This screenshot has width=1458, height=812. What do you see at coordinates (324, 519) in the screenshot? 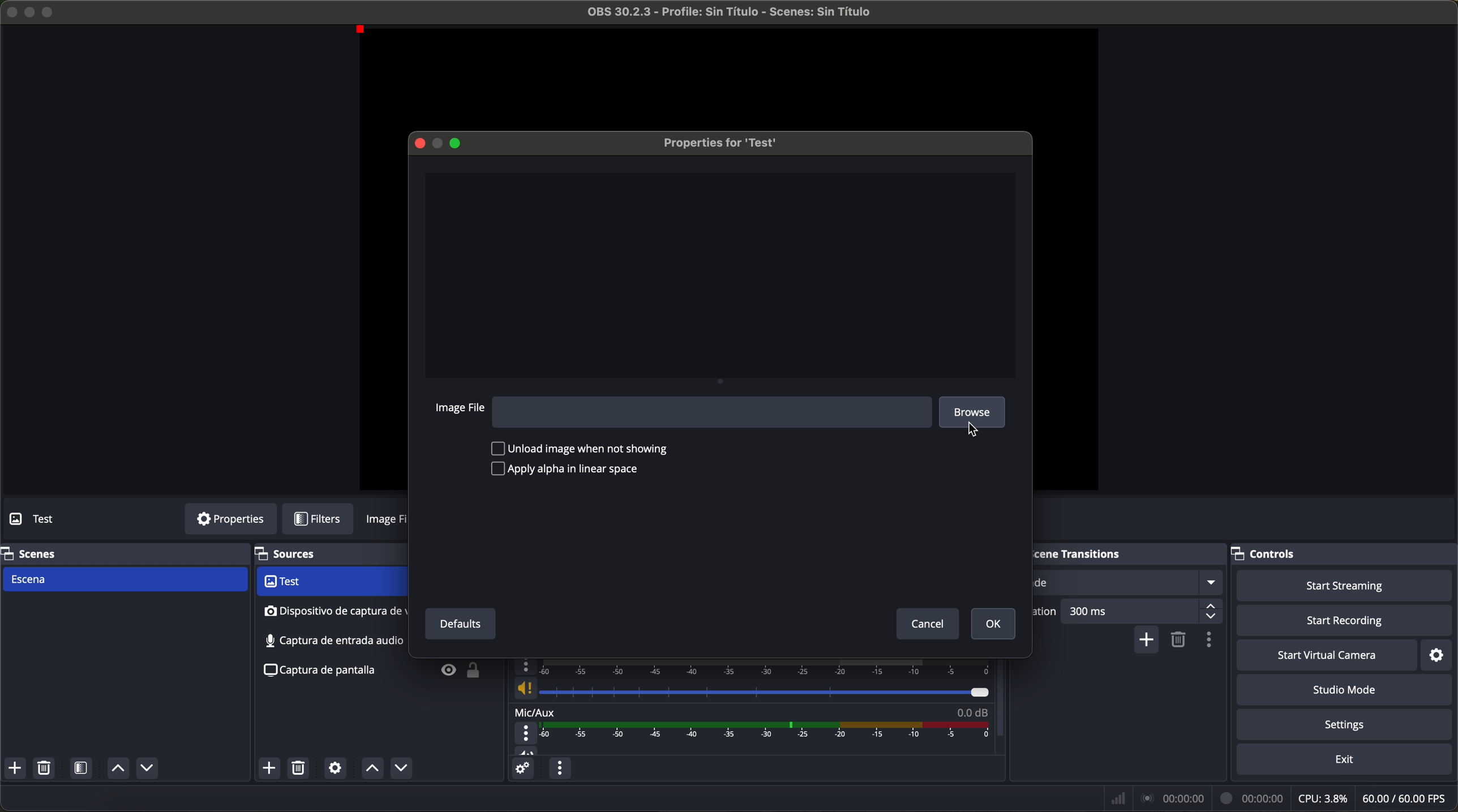
I see `filters` at bounding box center [324, 519].